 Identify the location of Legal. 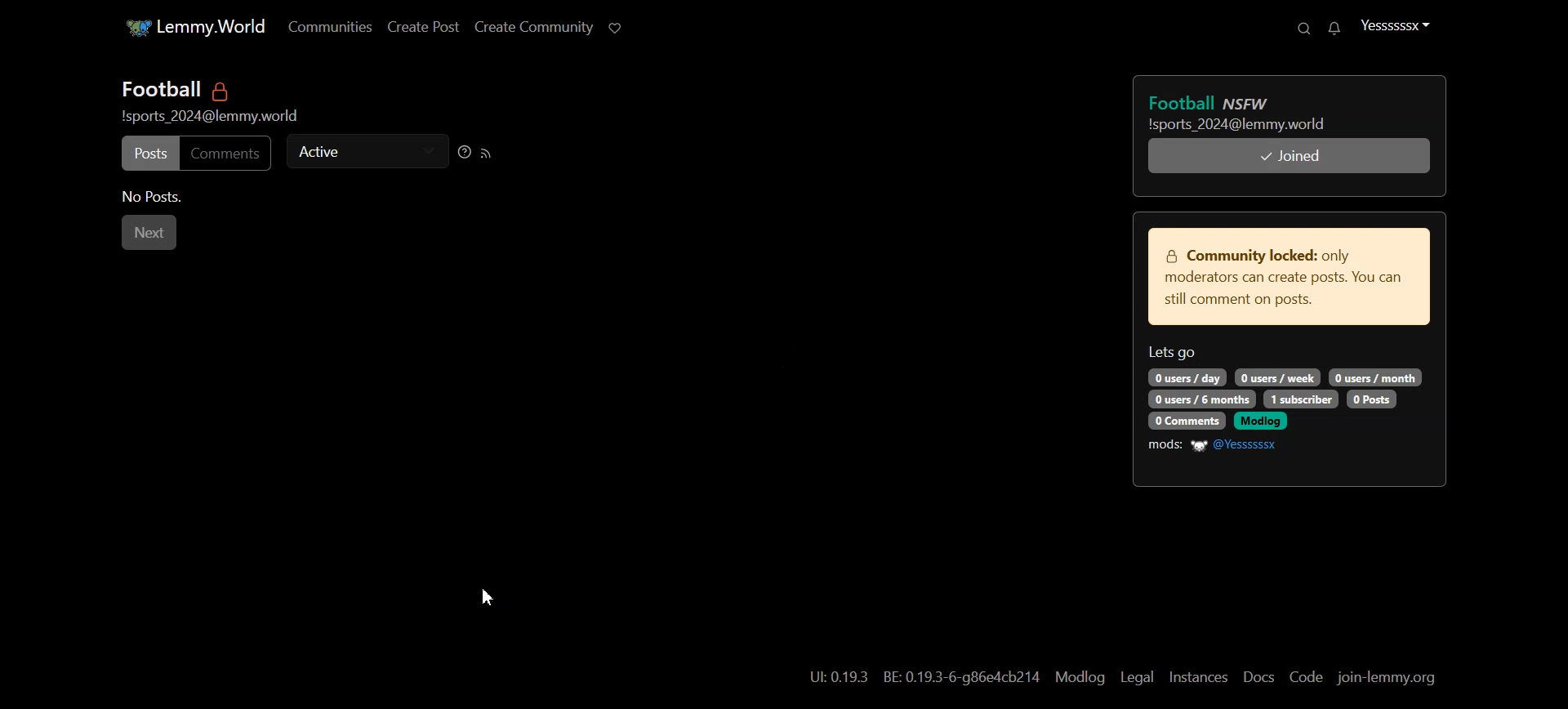
(1129, 676).